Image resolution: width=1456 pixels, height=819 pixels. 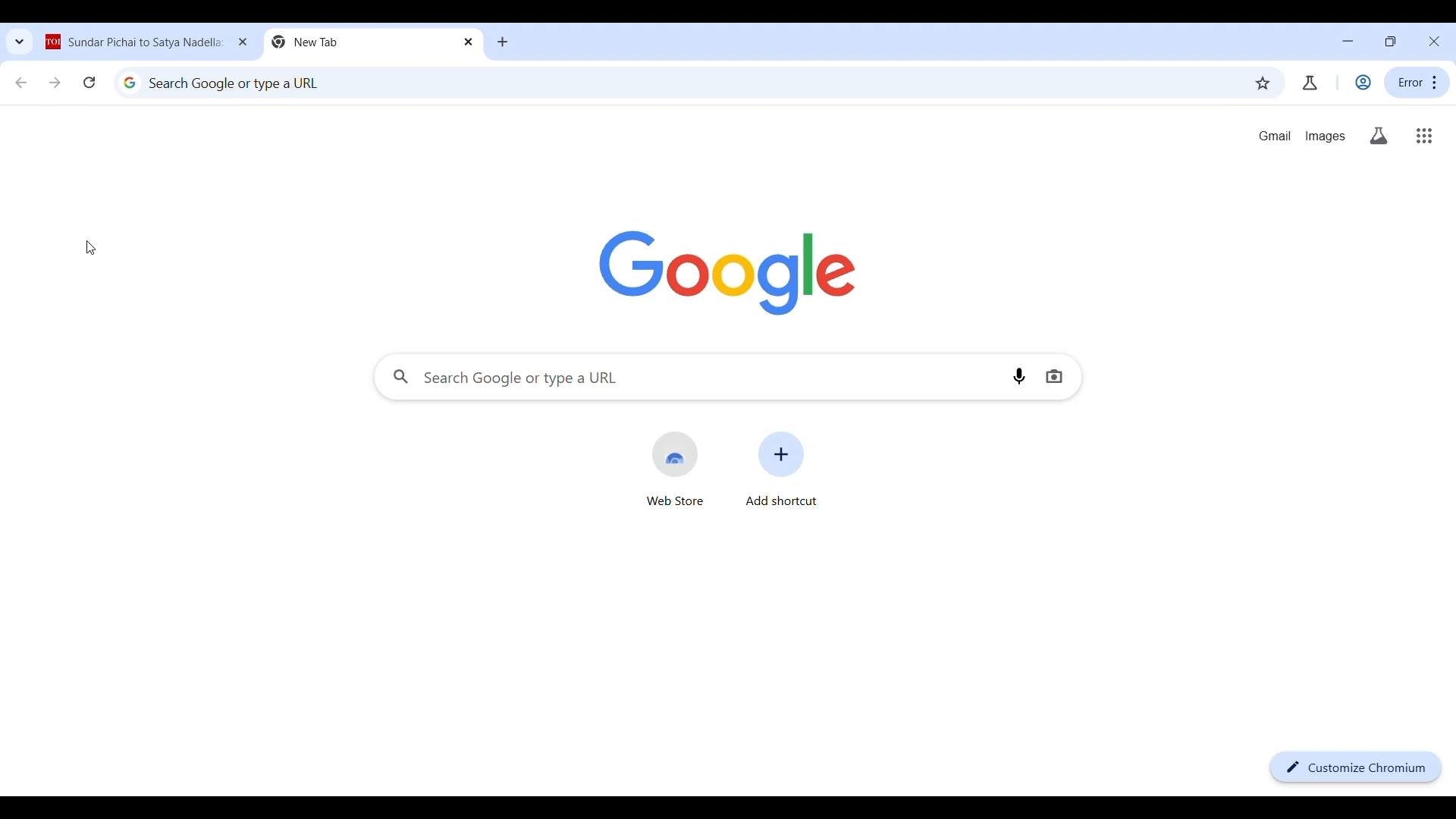 What do you see at coordinates (1326, 136) in the screenshot?
I see `Images` at bounding box center [1326, 136].